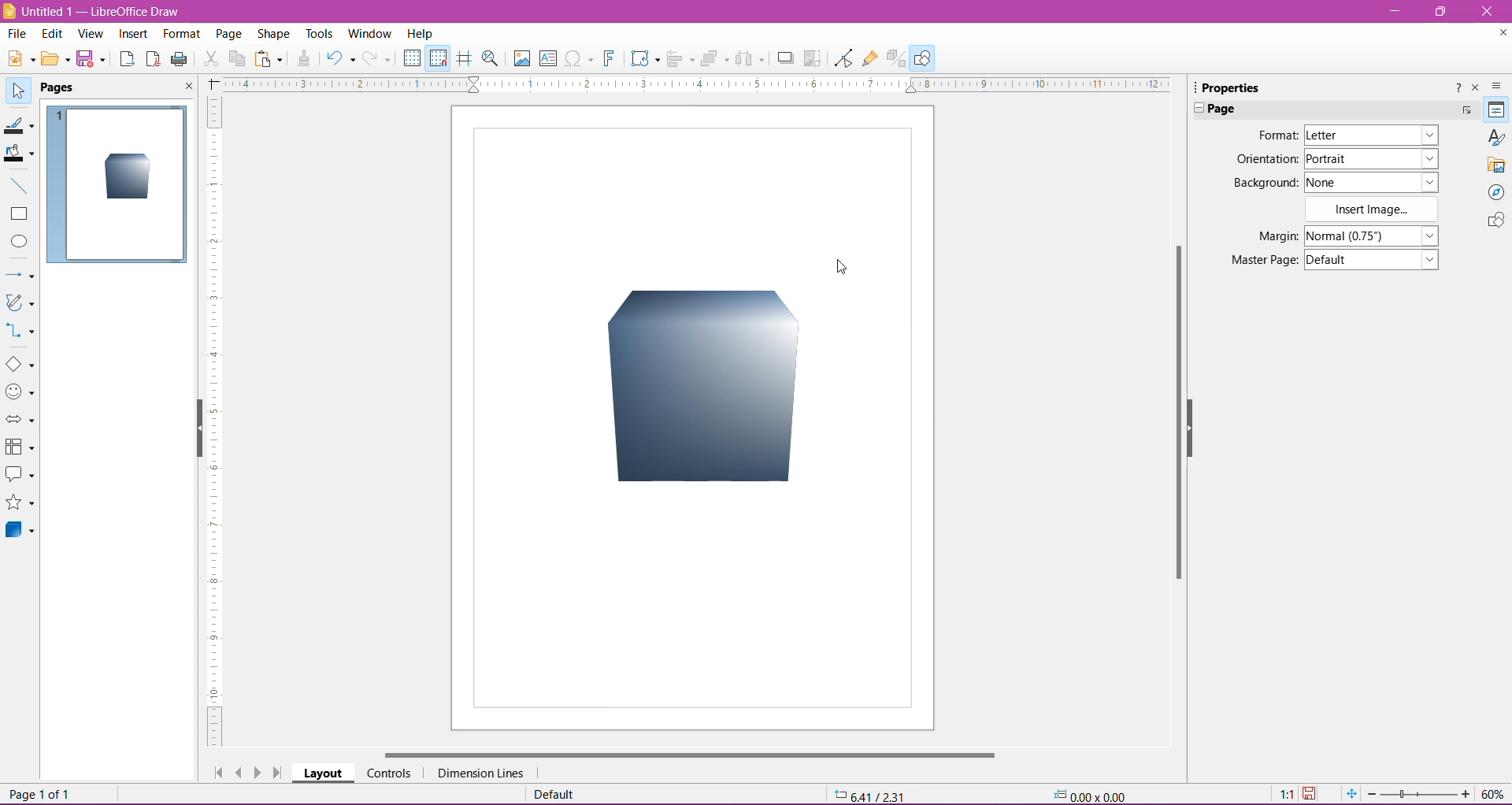  I want to click on Export, so click(127, 60).